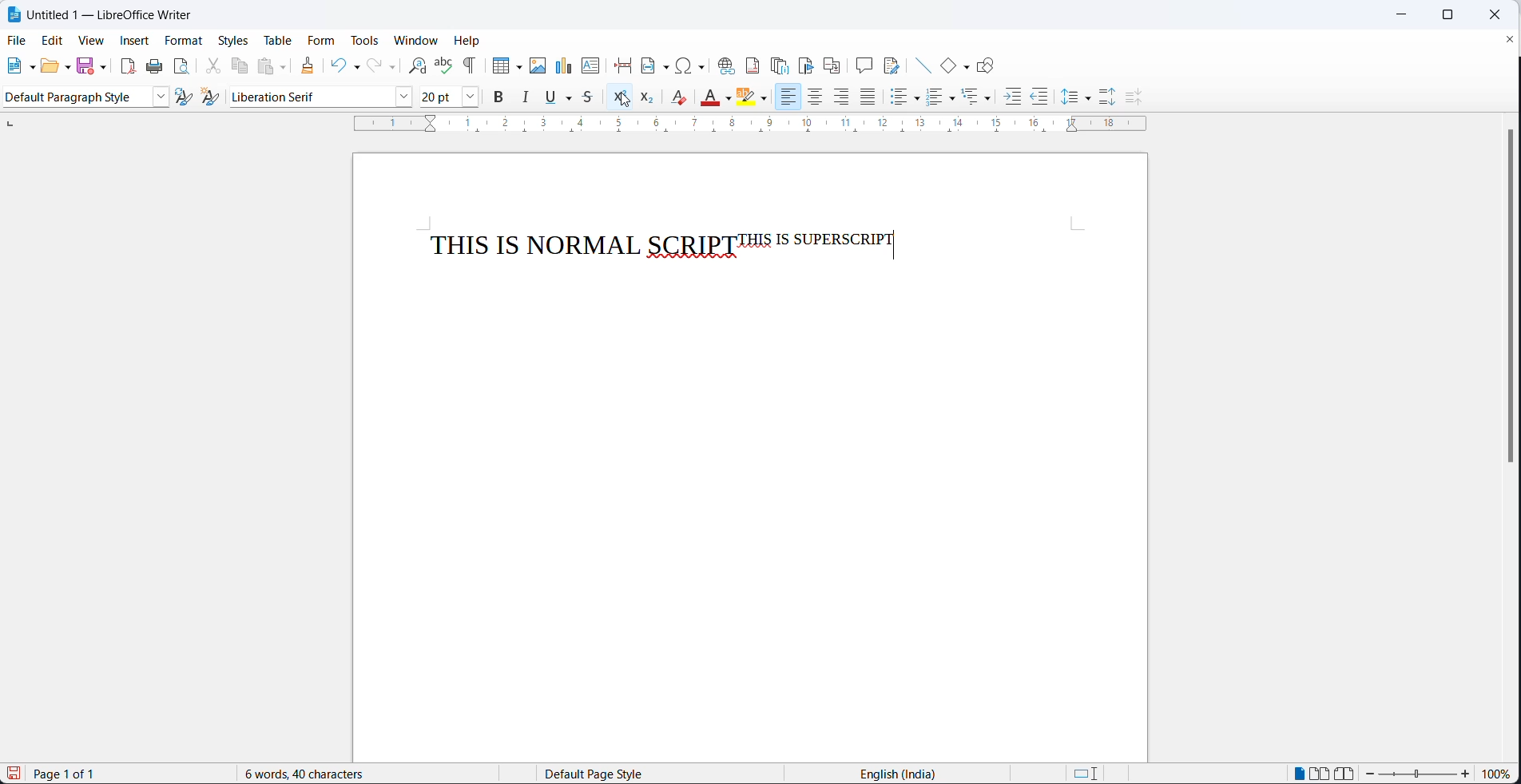 The width and height of the screenshot is (1521, 784). Describe the element at coordinates (1464, 775) in the screenshot. I see `zoom decrease` at that location.